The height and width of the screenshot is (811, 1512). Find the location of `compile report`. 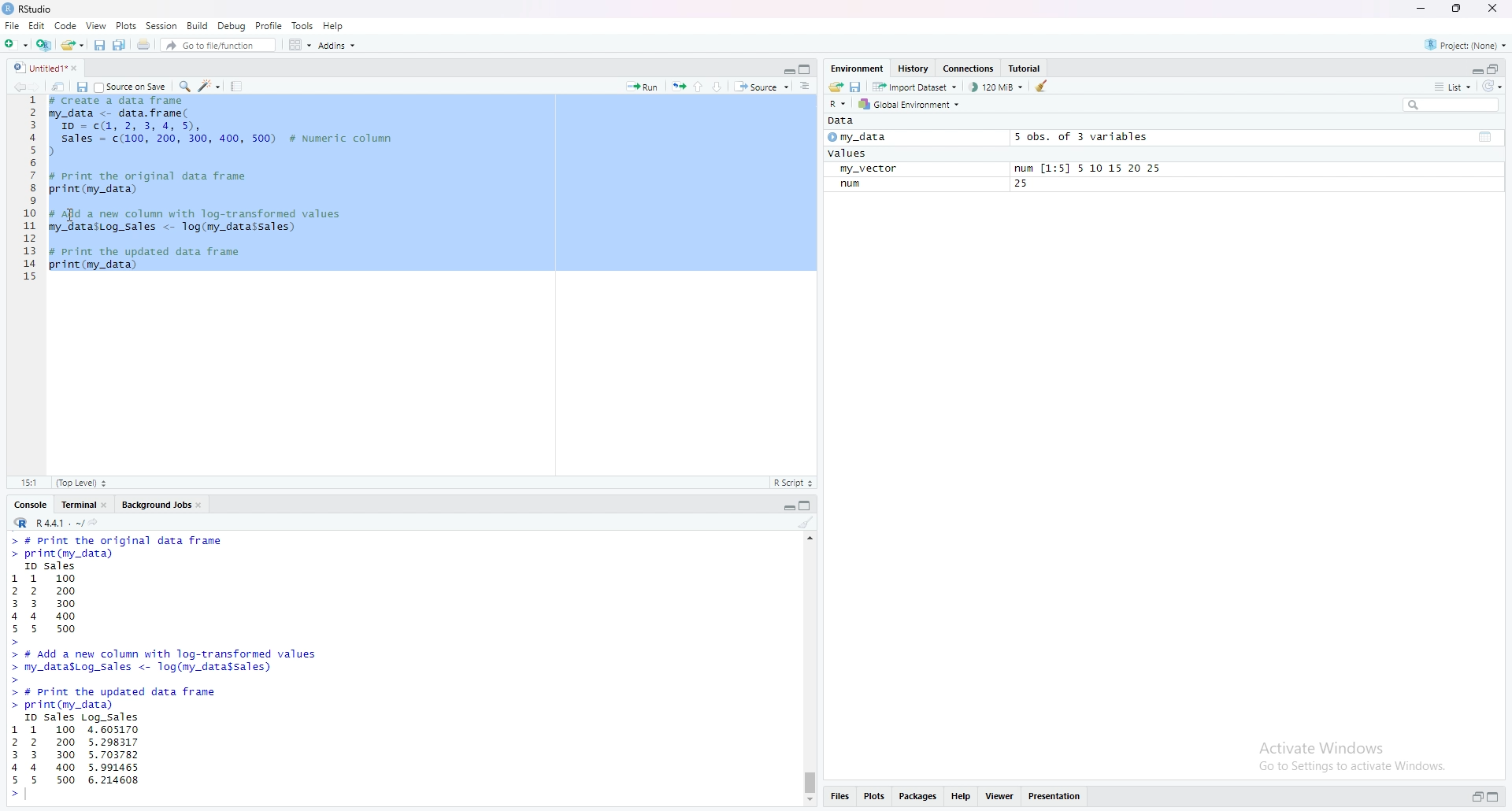

compile report is located at coordinates (238, 87).